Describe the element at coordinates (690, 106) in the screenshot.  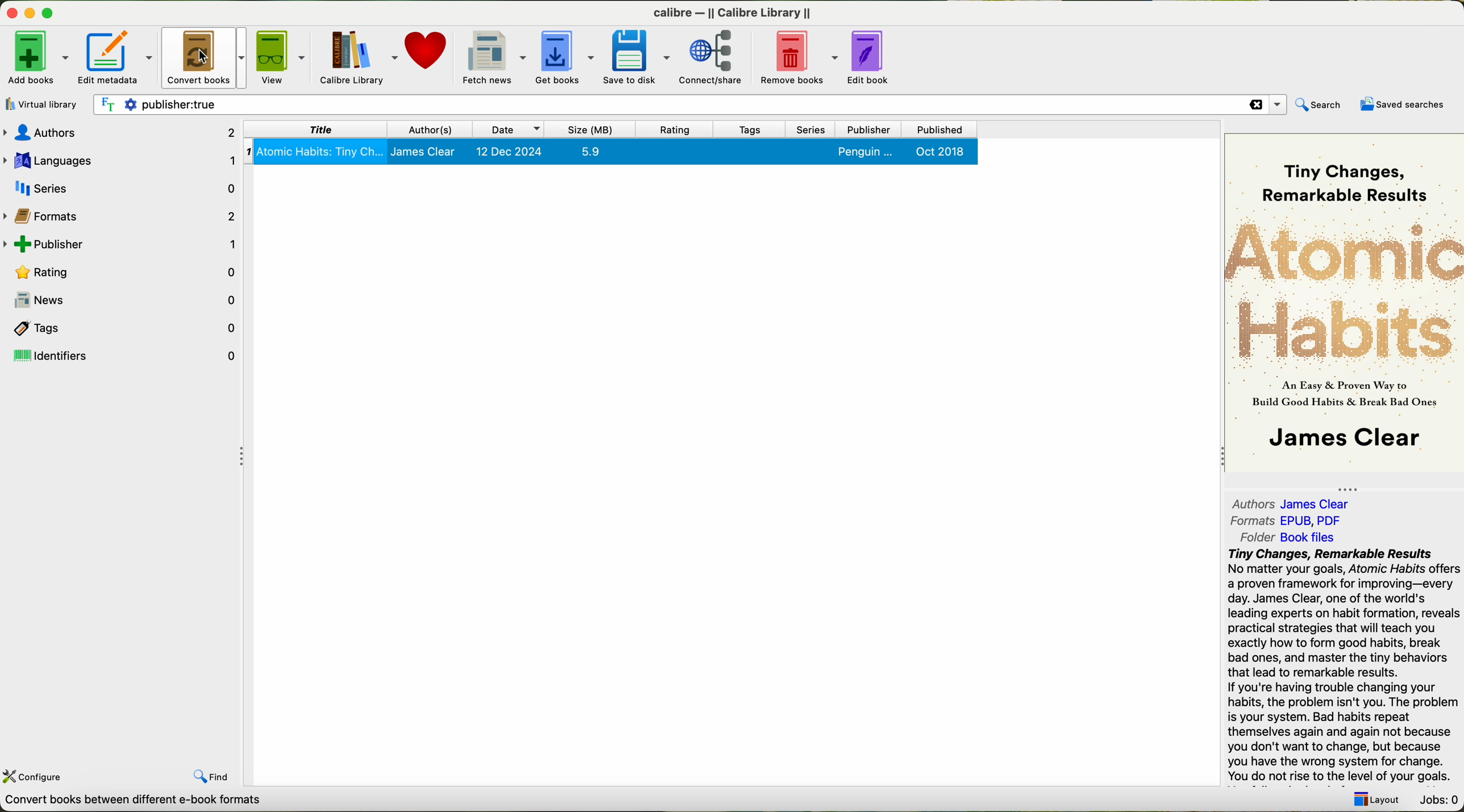
I see `search bar` at that location.